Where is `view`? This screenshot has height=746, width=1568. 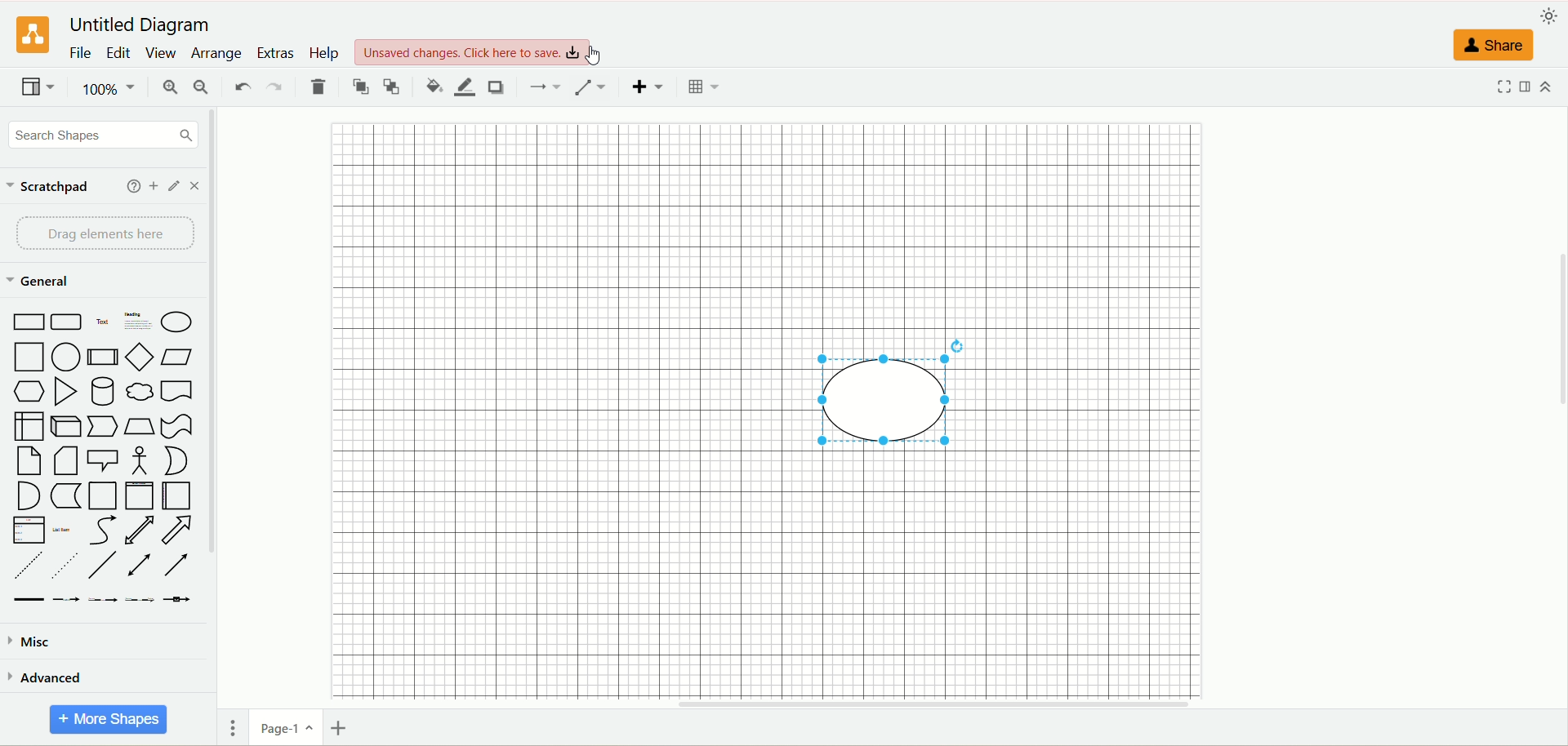
view is located at coordinates (37, 87).